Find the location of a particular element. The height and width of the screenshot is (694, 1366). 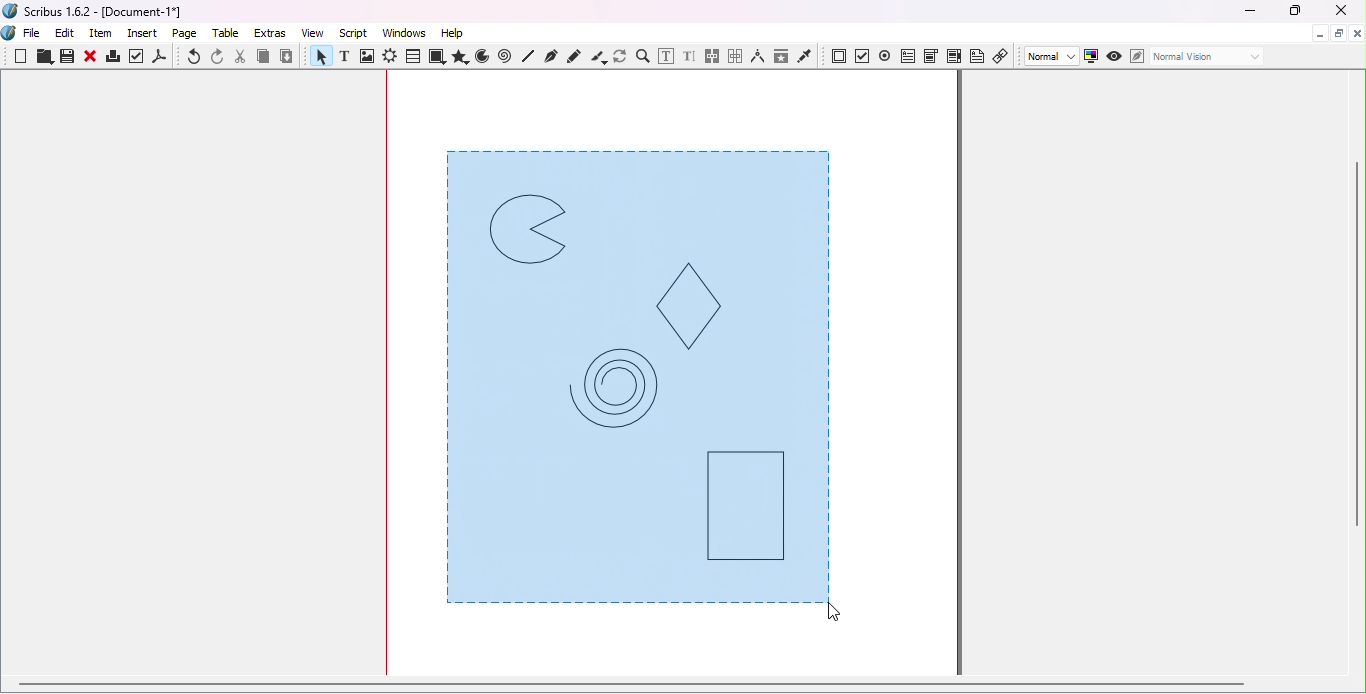

Copy item properties is located at coordinates (780, 56).